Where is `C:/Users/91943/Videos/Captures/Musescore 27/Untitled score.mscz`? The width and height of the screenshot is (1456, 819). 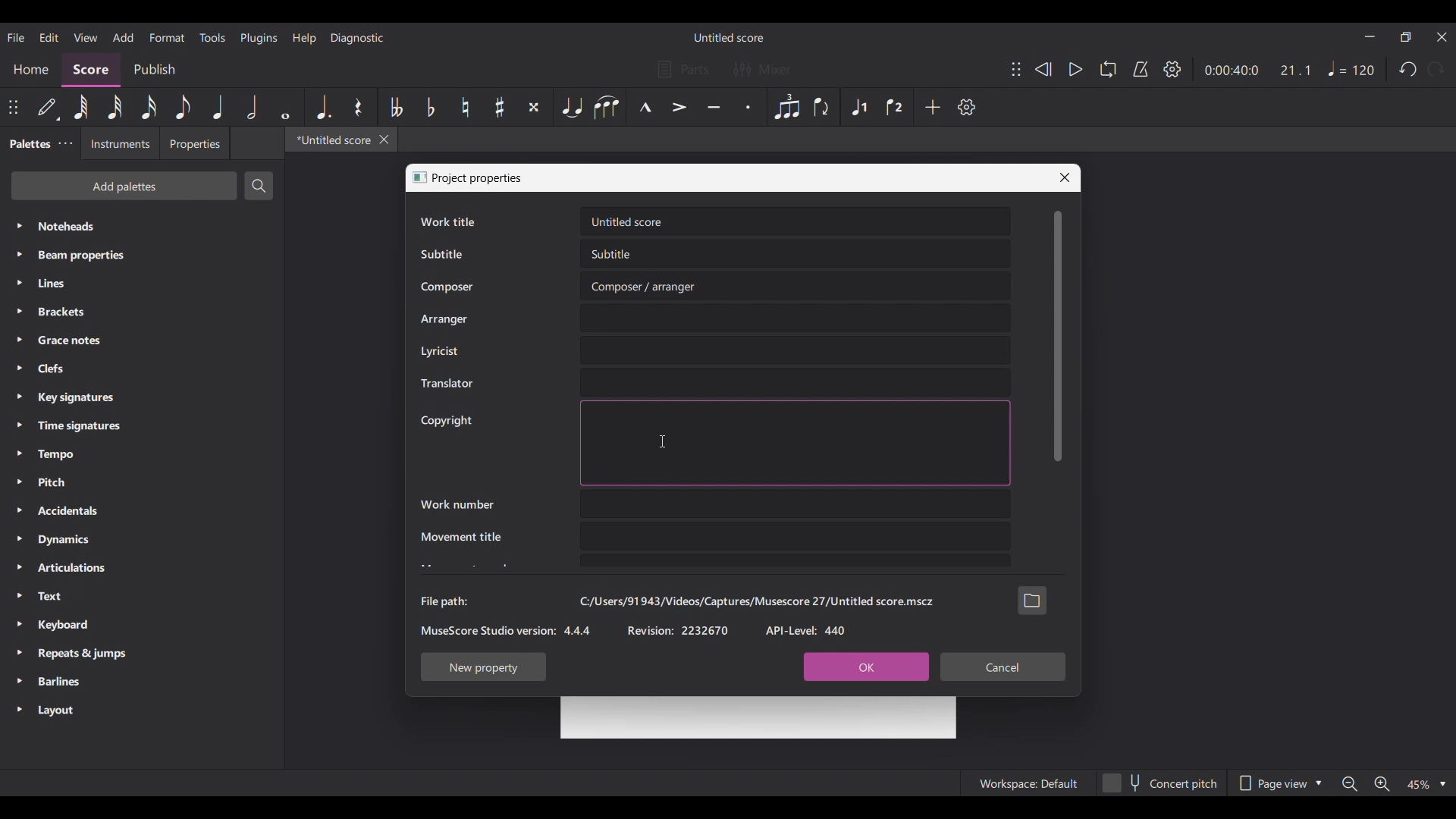
C:/Users/91943/Videos/Captures/Musescore 27/Untitled score.mscz is located at coordinates (756, 601).